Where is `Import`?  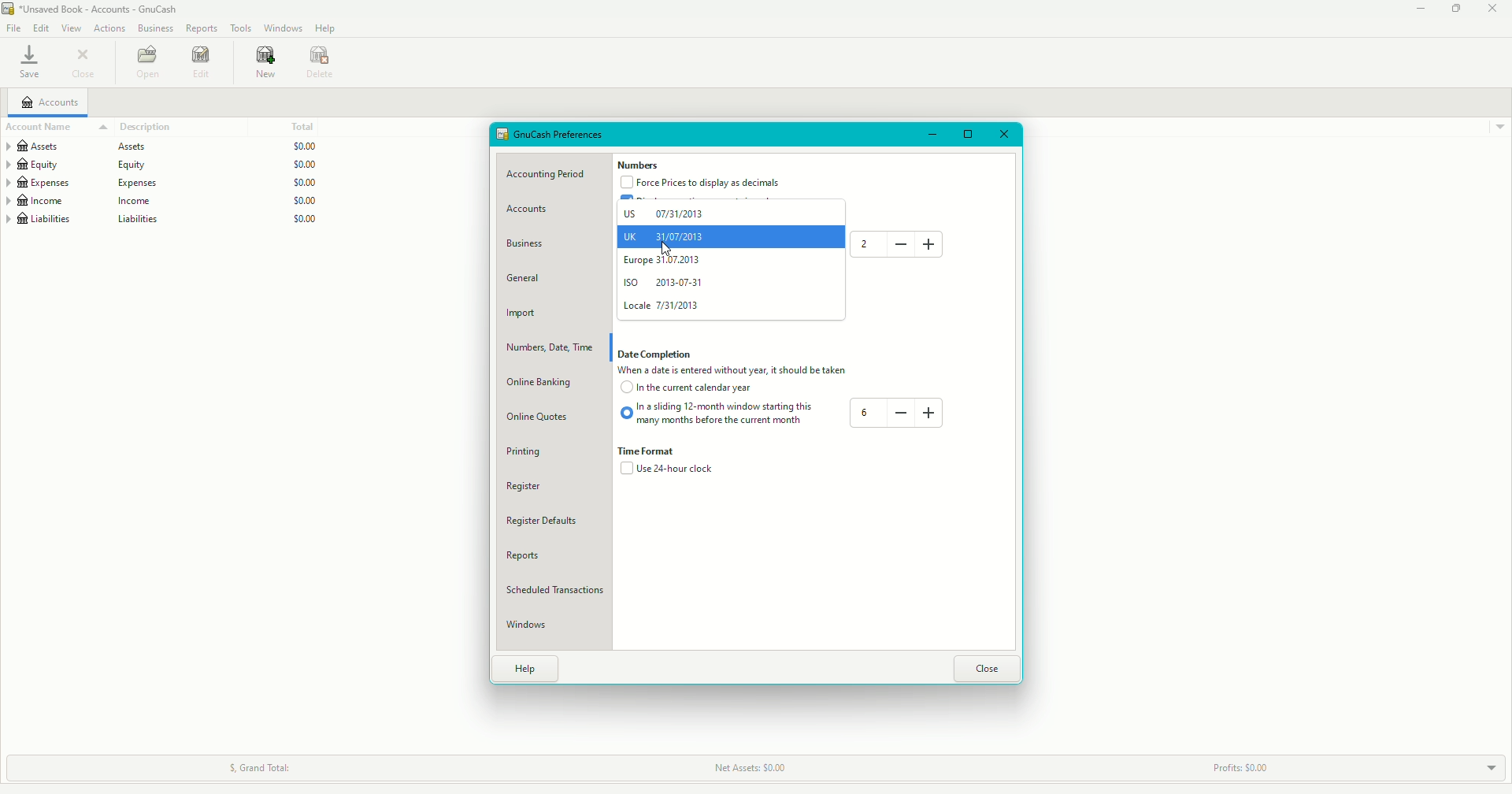
Import is located at coordinates (523, 314).